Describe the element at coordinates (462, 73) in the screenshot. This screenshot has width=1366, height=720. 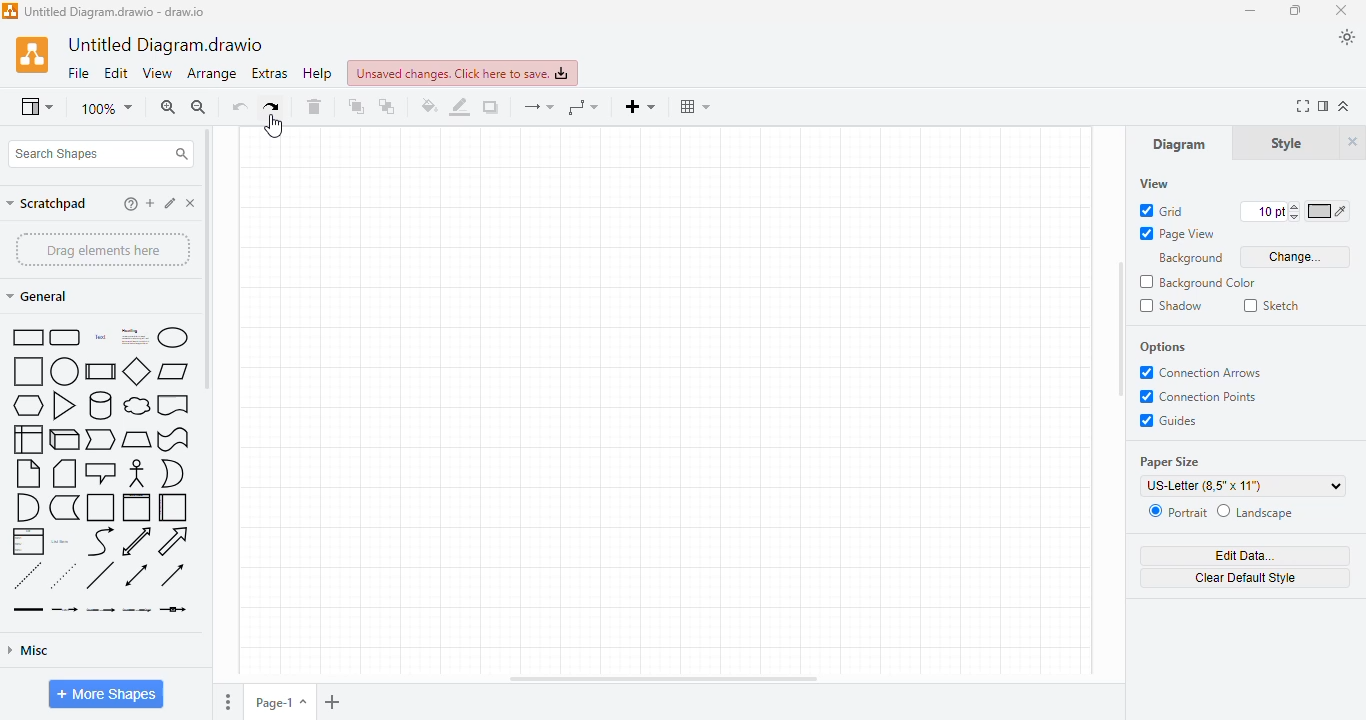
I see `unsaved changed. click here to save` at that location.